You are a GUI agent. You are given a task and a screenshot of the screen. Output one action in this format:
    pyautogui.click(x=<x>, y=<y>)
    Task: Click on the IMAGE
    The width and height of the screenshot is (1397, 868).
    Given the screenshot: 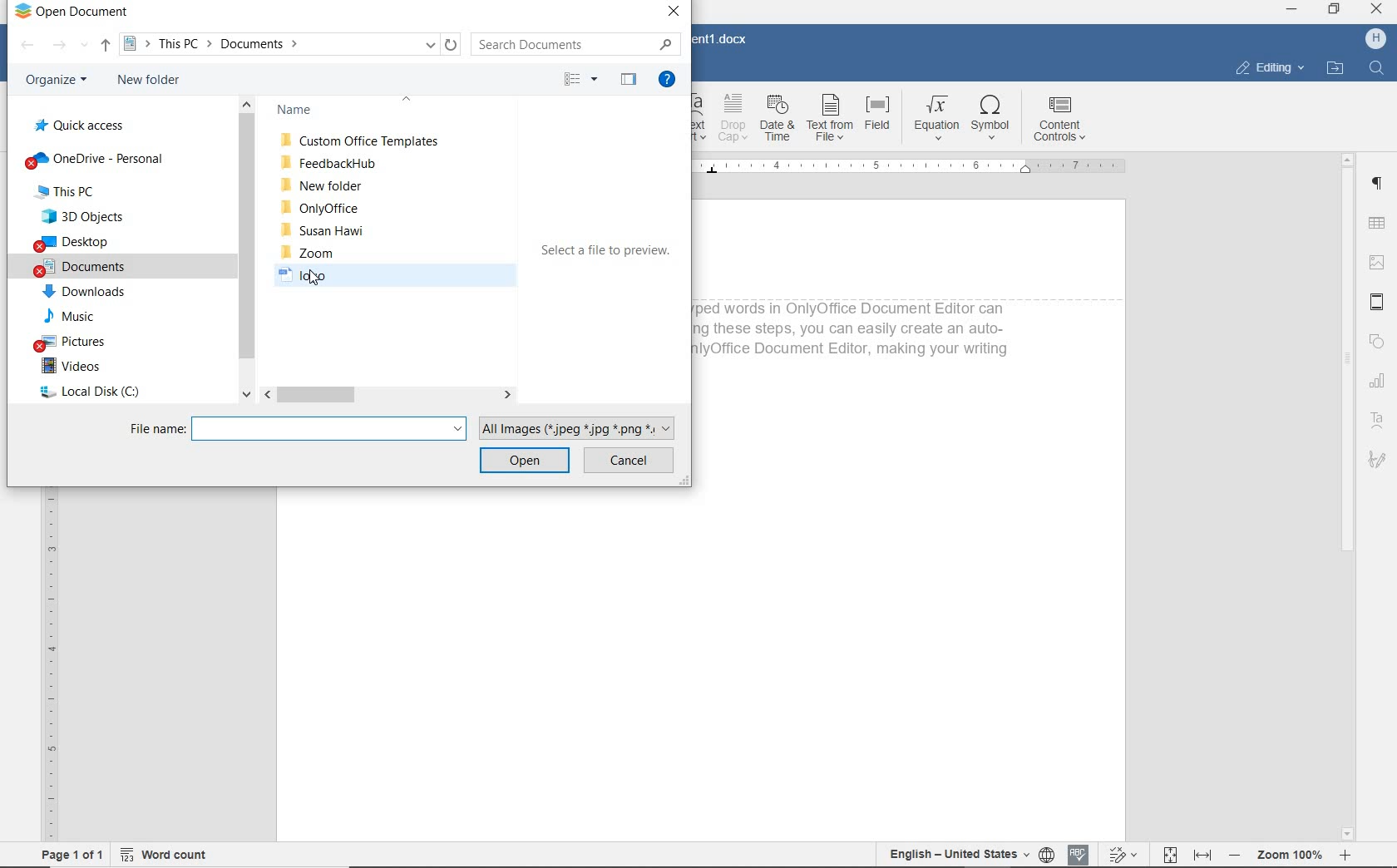 What is the action you would take?
    pyautogui.click(x=1376, y=263)
    